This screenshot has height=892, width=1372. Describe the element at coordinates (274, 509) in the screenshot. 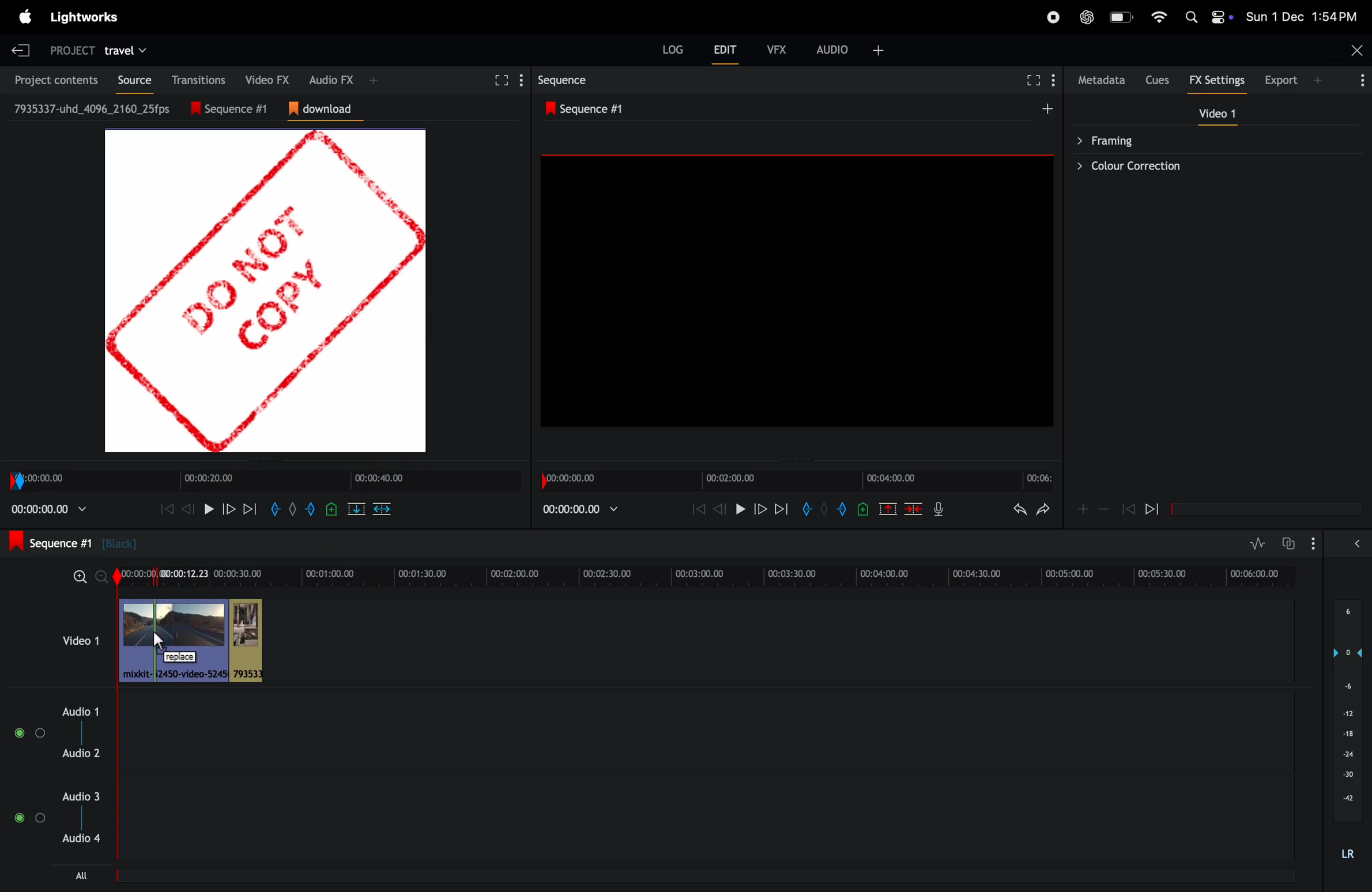

I see `add in` at that location.